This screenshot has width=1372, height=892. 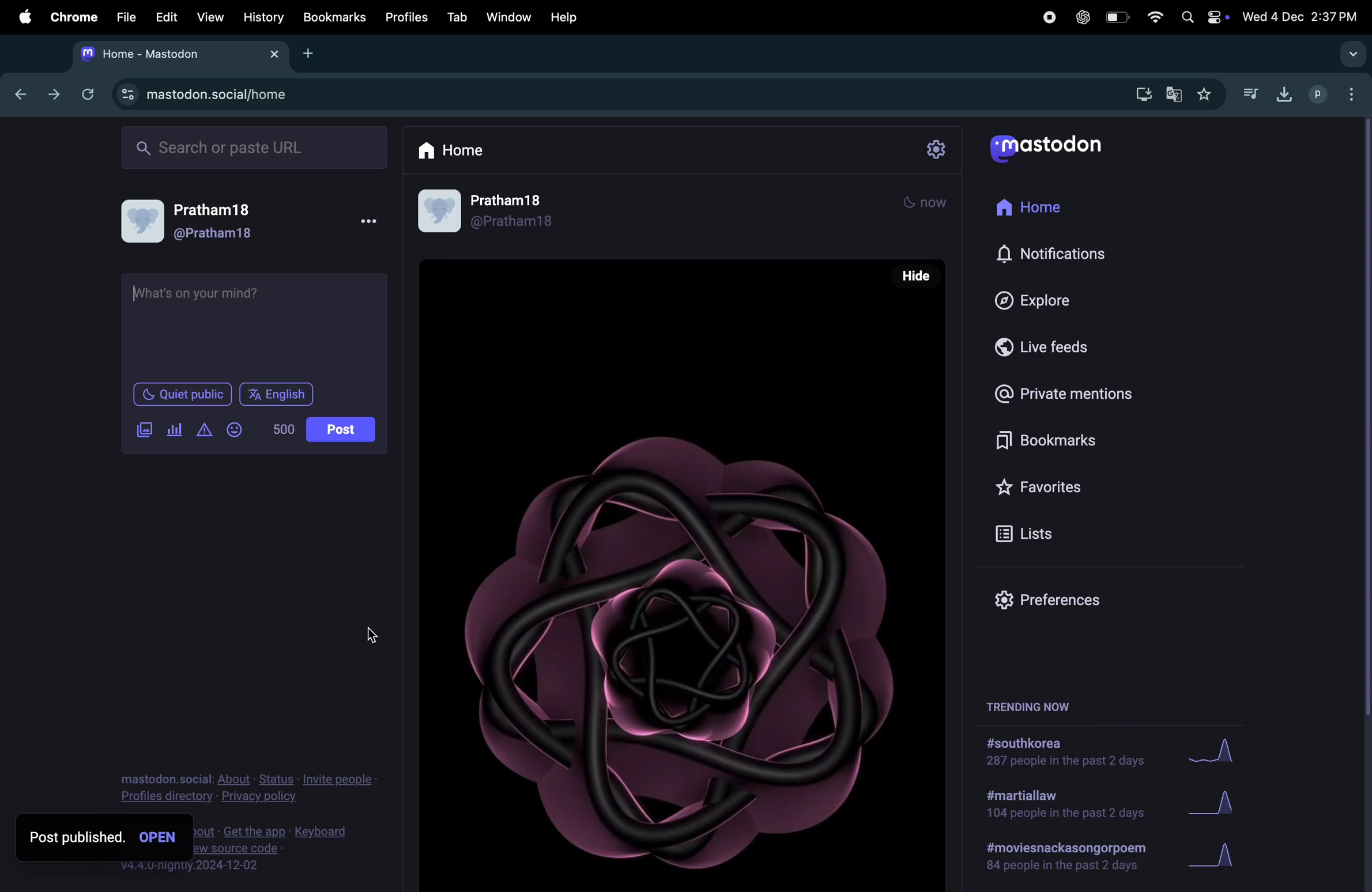 I want to click on Bookmarks, so click(x=336, y=18).